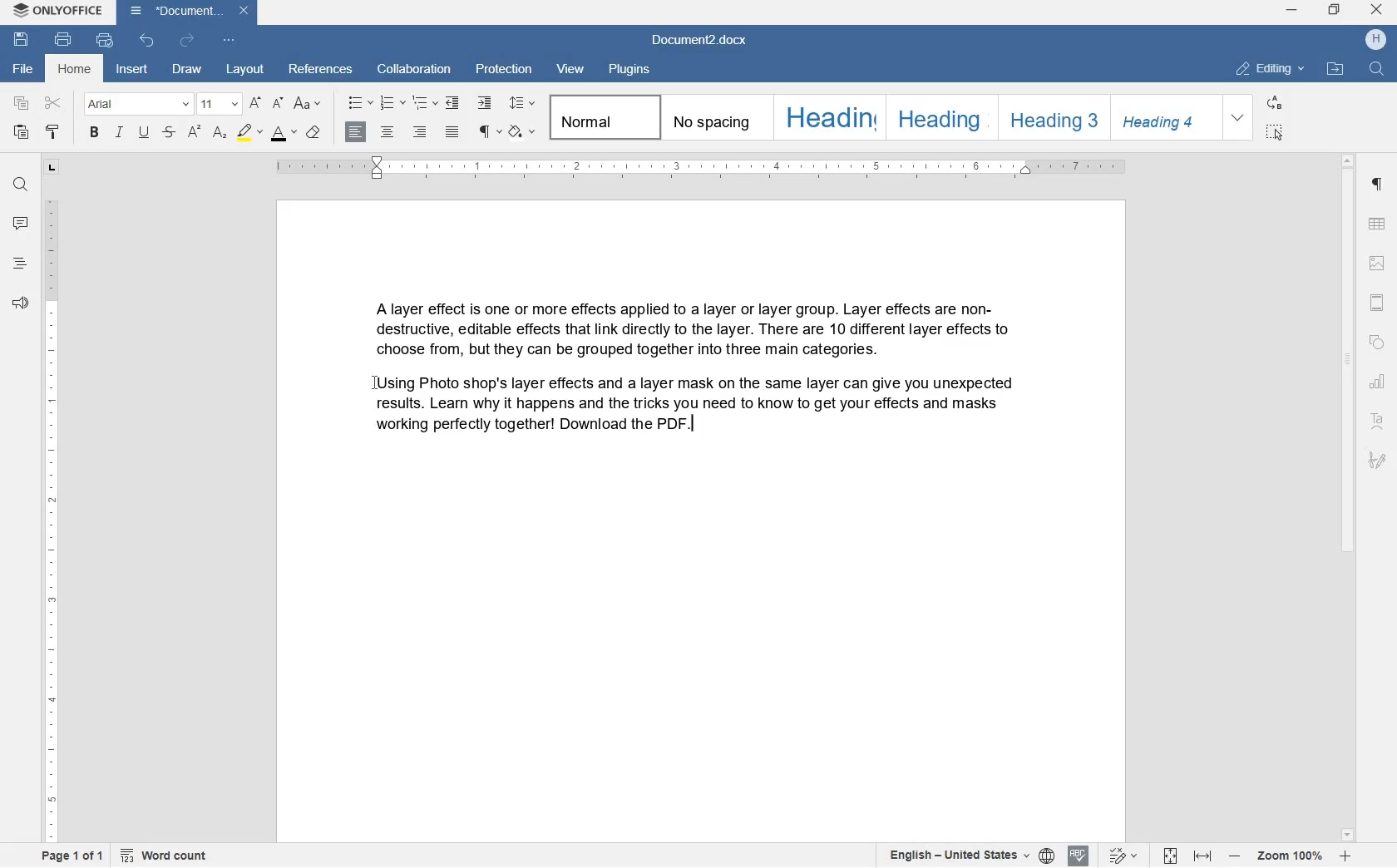  I want to click on SHADING, so click(524, 131).